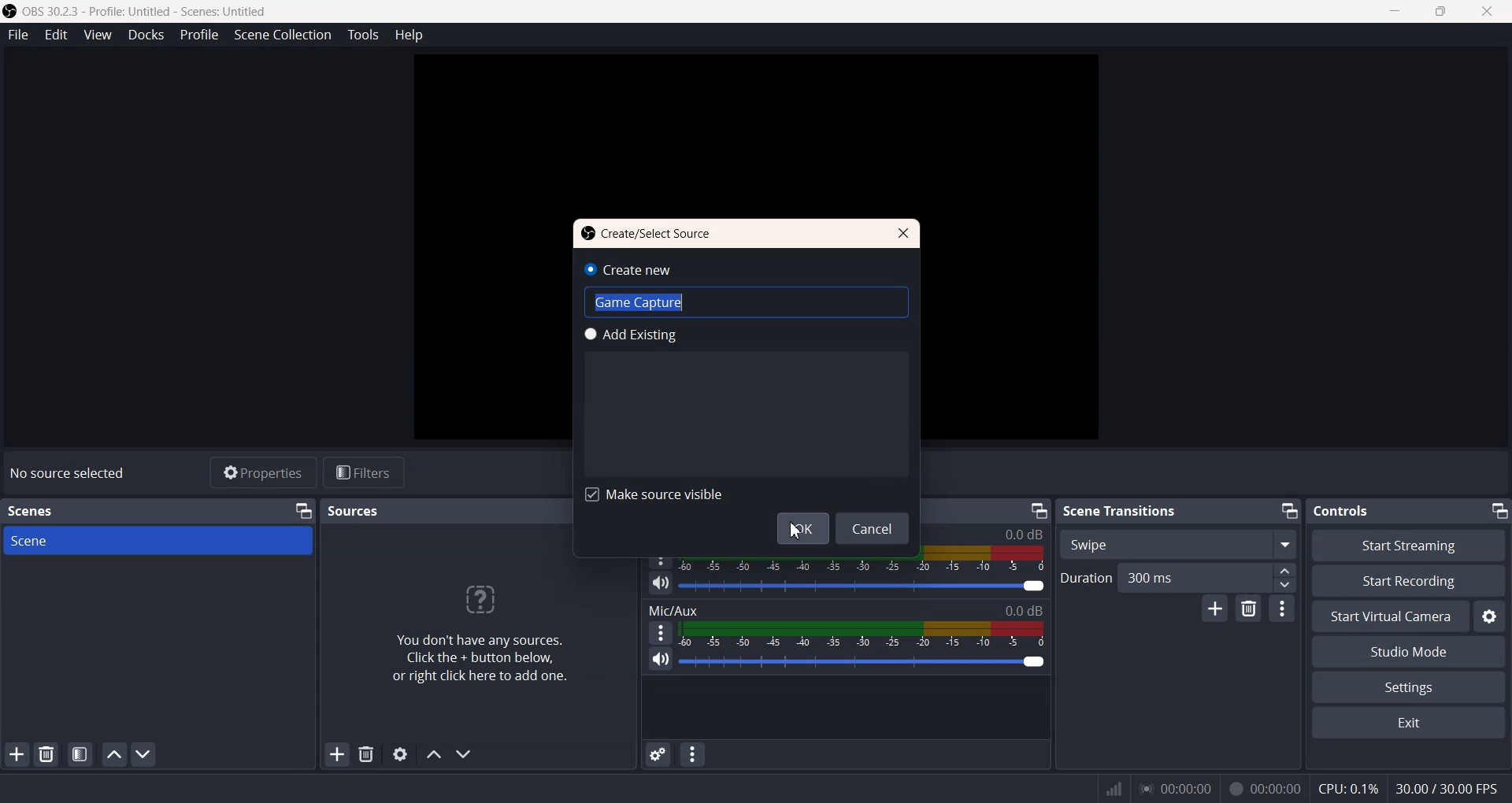 This screenshot has height=803, width=1512. Describe the element at coordinates (262, 472) in the screenshot. I see `Properties` at that location.